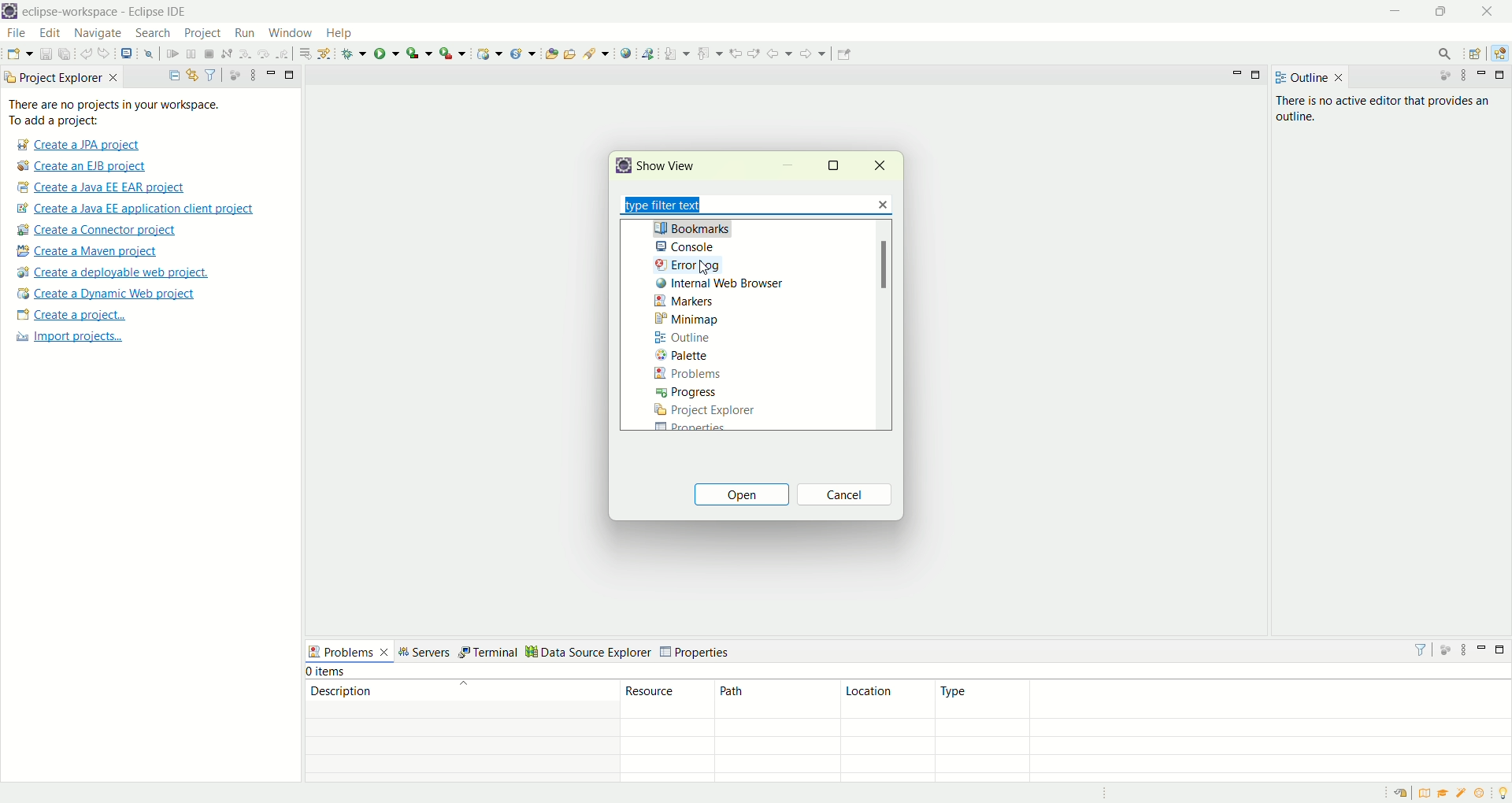  Describe the element at coordinates (135, 209) in the screenshot. I see `create a Java EE application client project` at that location.